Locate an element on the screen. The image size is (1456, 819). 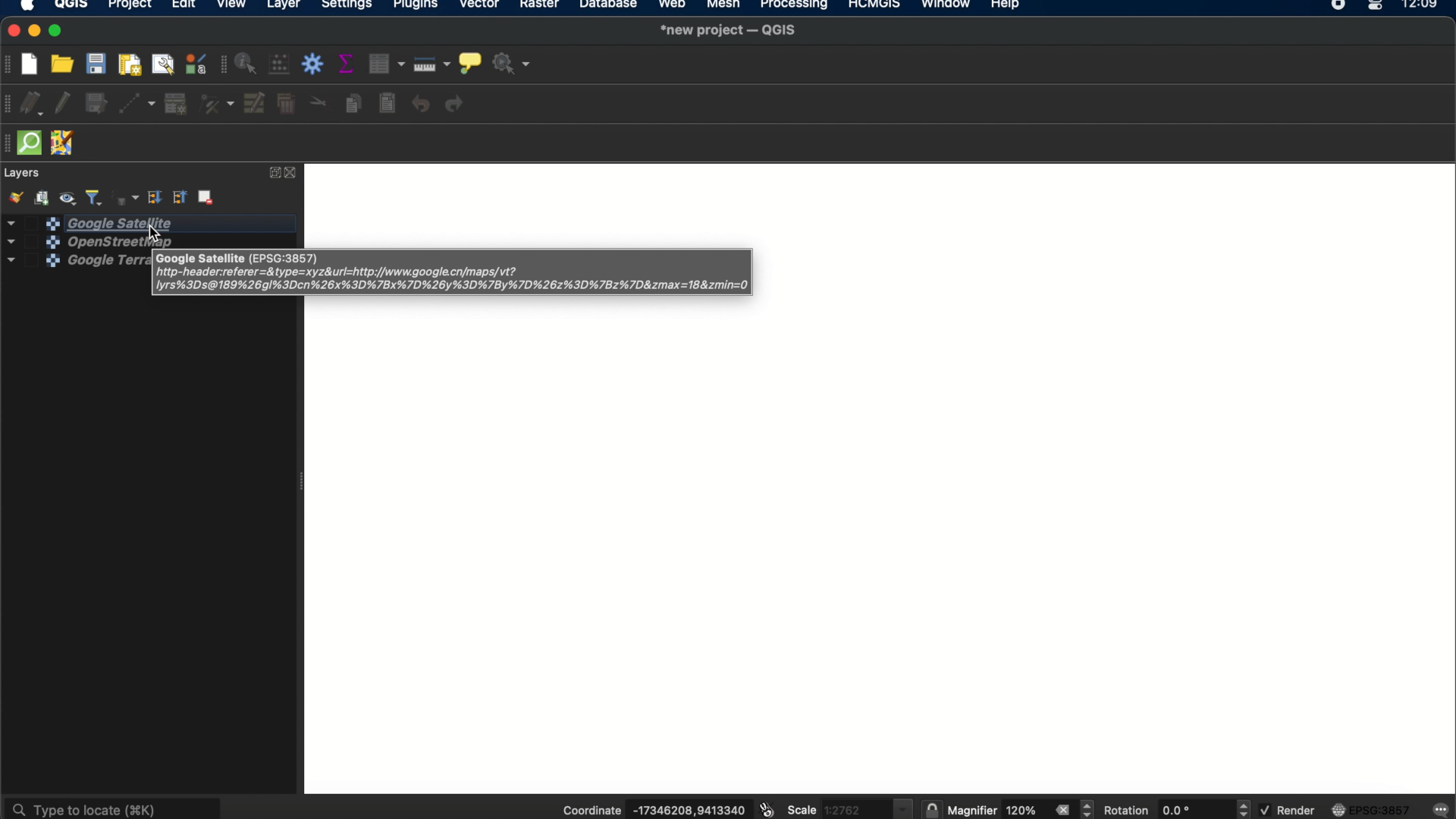
magnifier 120% is located at coordinates (996, 811).